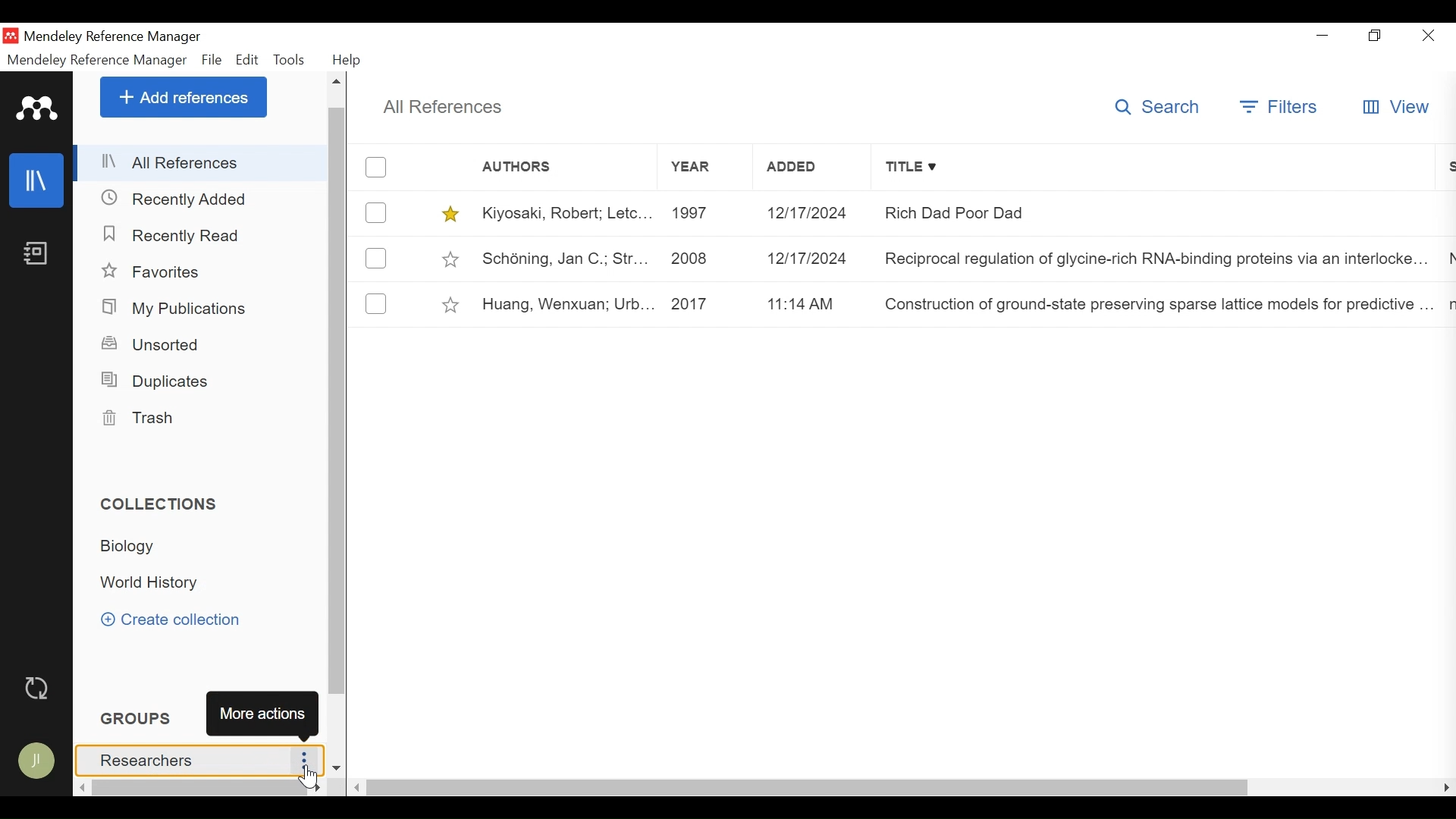 Image resolution: width=1456 pixels, height=819 pixels. What do you see at coordinates (152, 583) in the screenshot?
I see `World History` at bounding box center [152, 583].